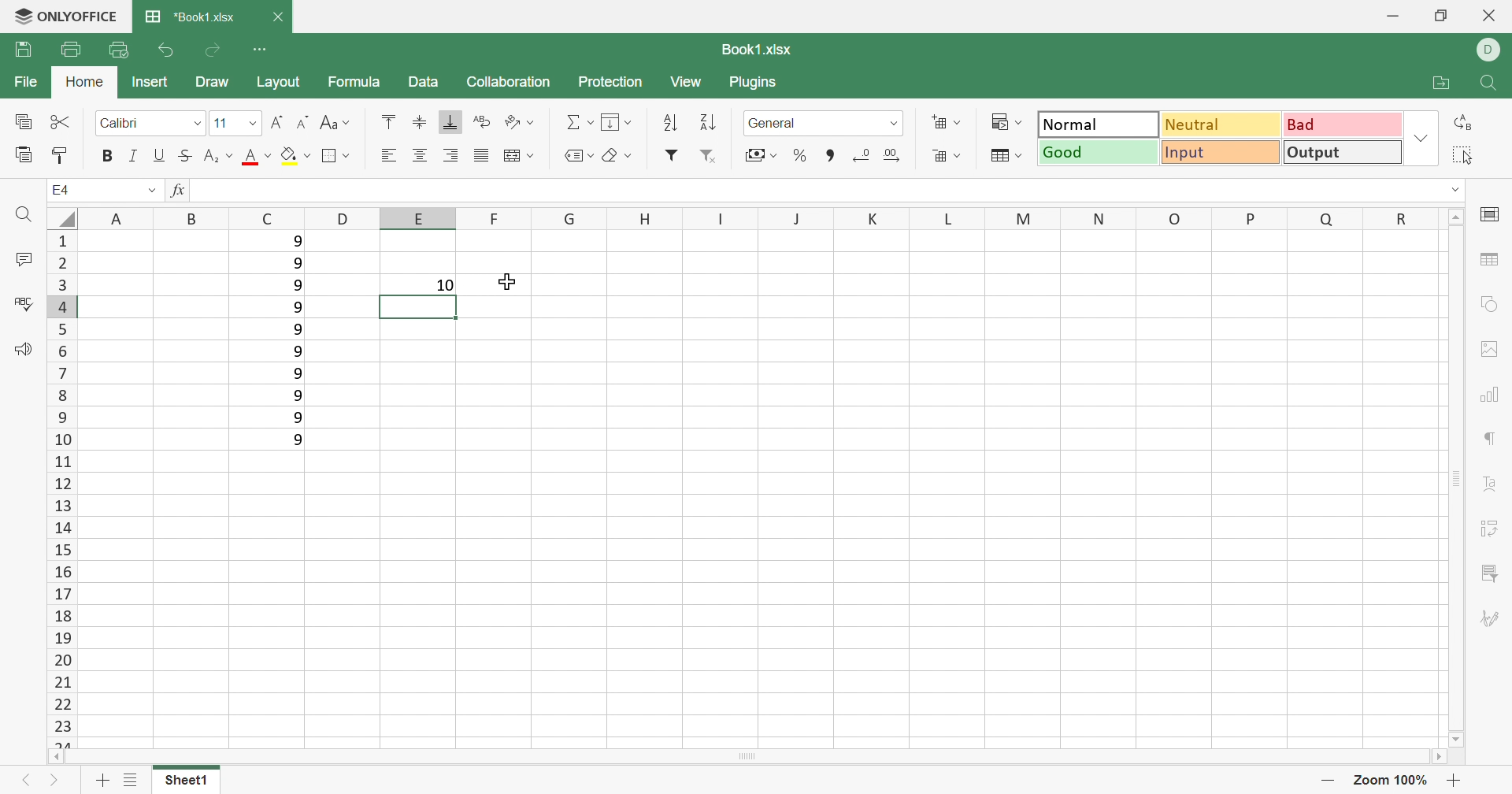 The image size is (1512, 794). Describe the element at coordinates (21, 217) in the screenshot. I see `Find` at that location.